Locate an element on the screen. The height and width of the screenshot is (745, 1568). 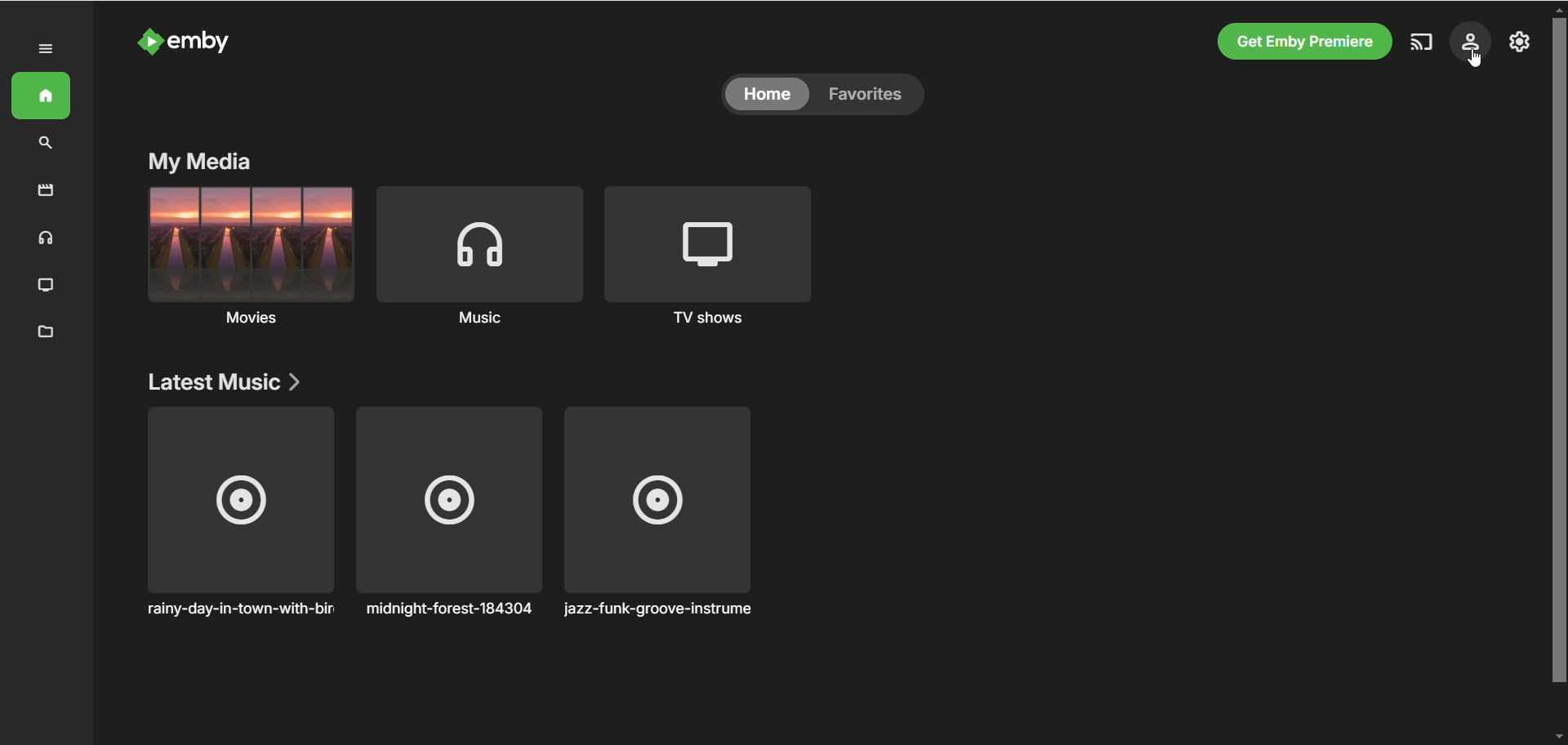
cursor is located at coordinates (1476, 63).